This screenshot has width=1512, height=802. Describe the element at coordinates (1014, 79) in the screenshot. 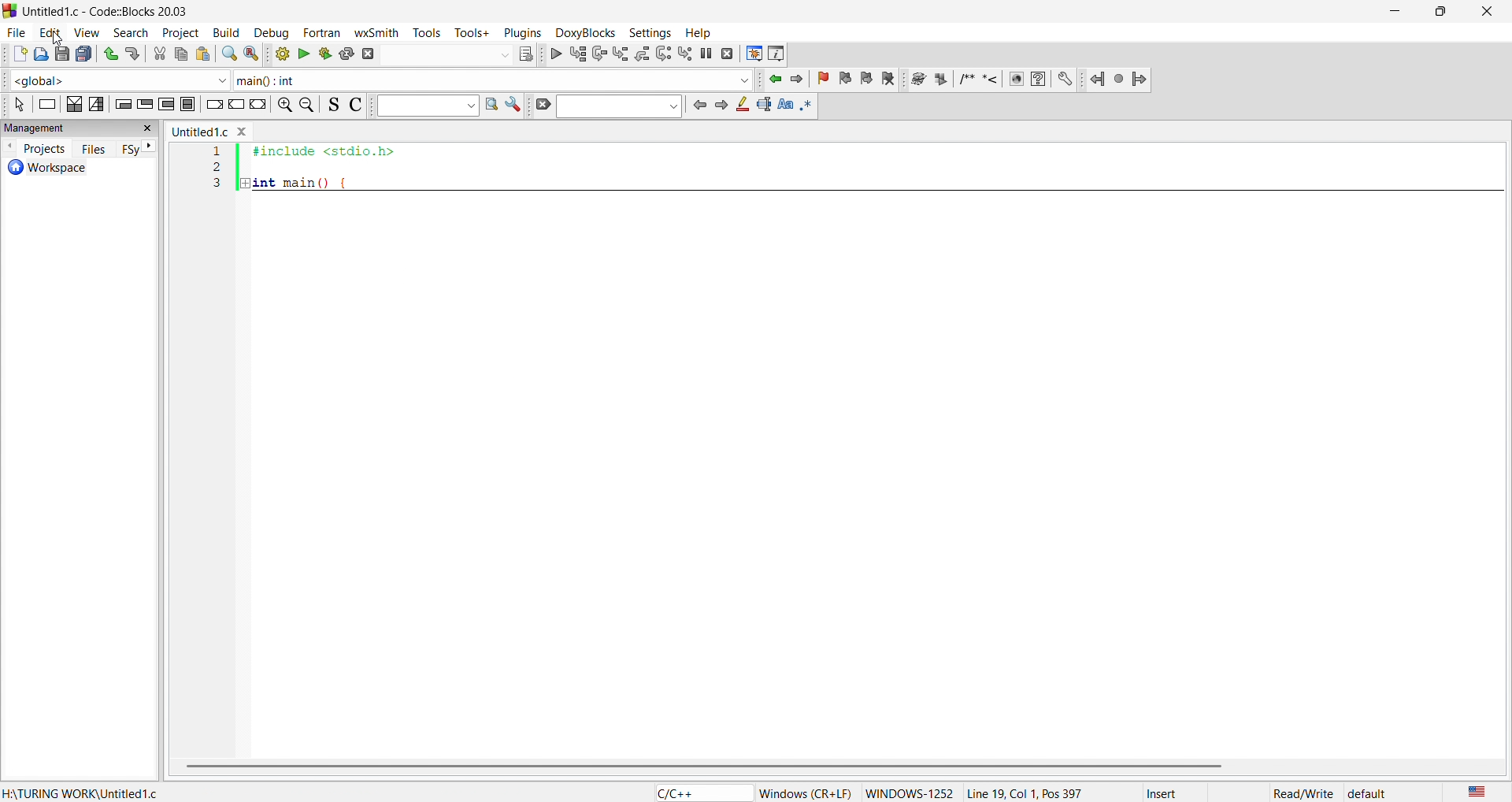

I see `web` at that location.